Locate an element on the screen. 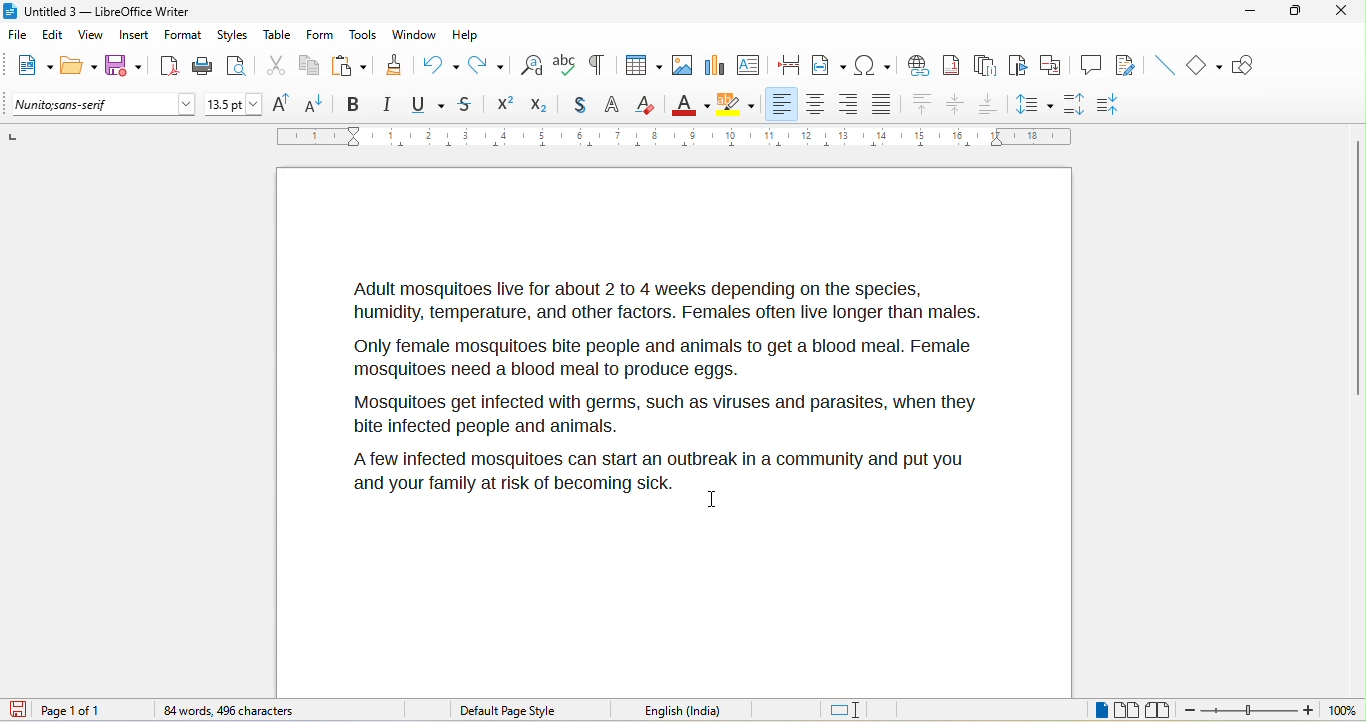 The height and width of the screenshot is (722, 1366). print preview is located at coordinates (241, 66).